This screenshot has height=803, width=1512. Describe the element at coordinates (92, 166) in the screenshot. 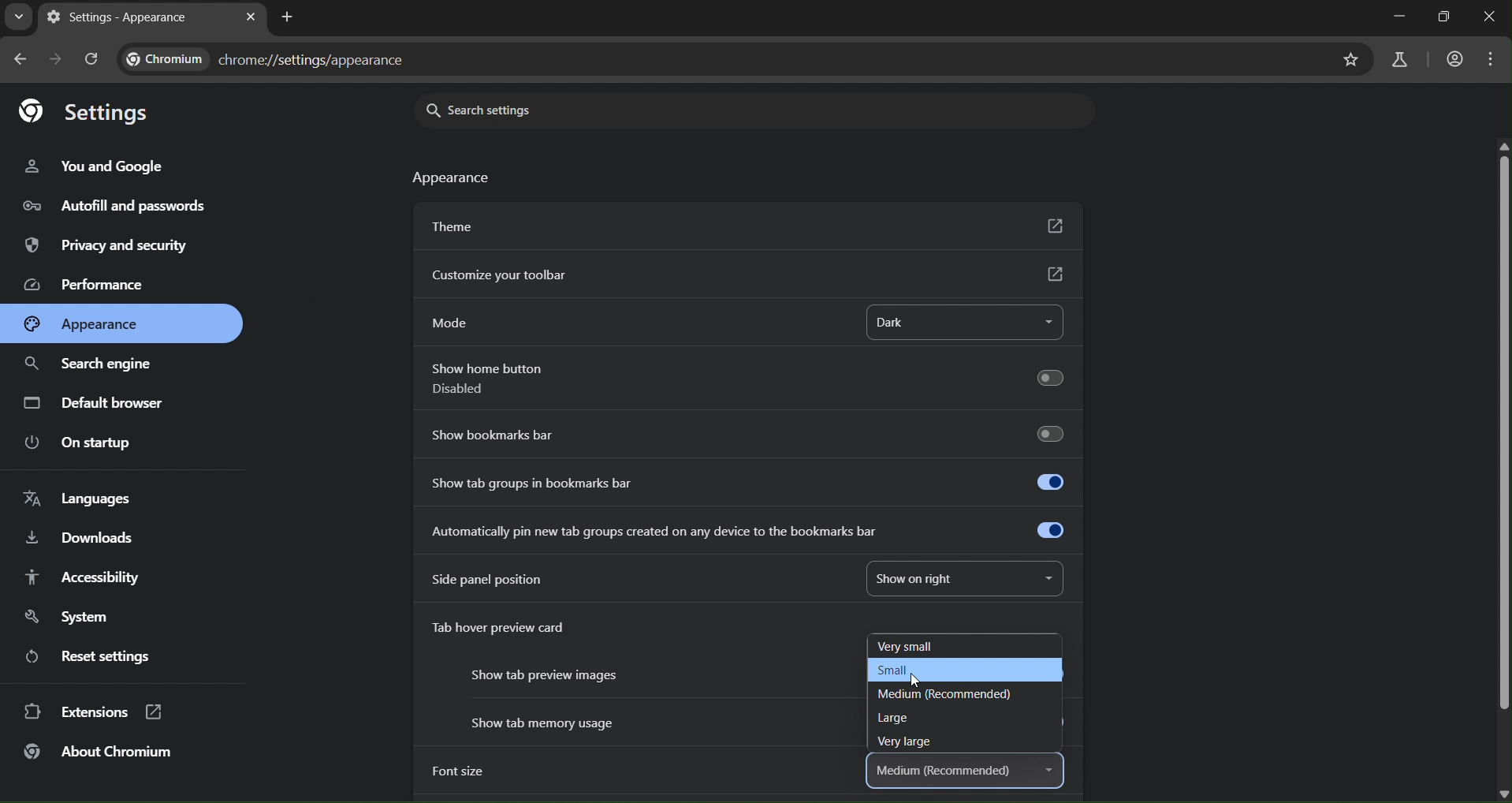

I see `you & google` at that location.